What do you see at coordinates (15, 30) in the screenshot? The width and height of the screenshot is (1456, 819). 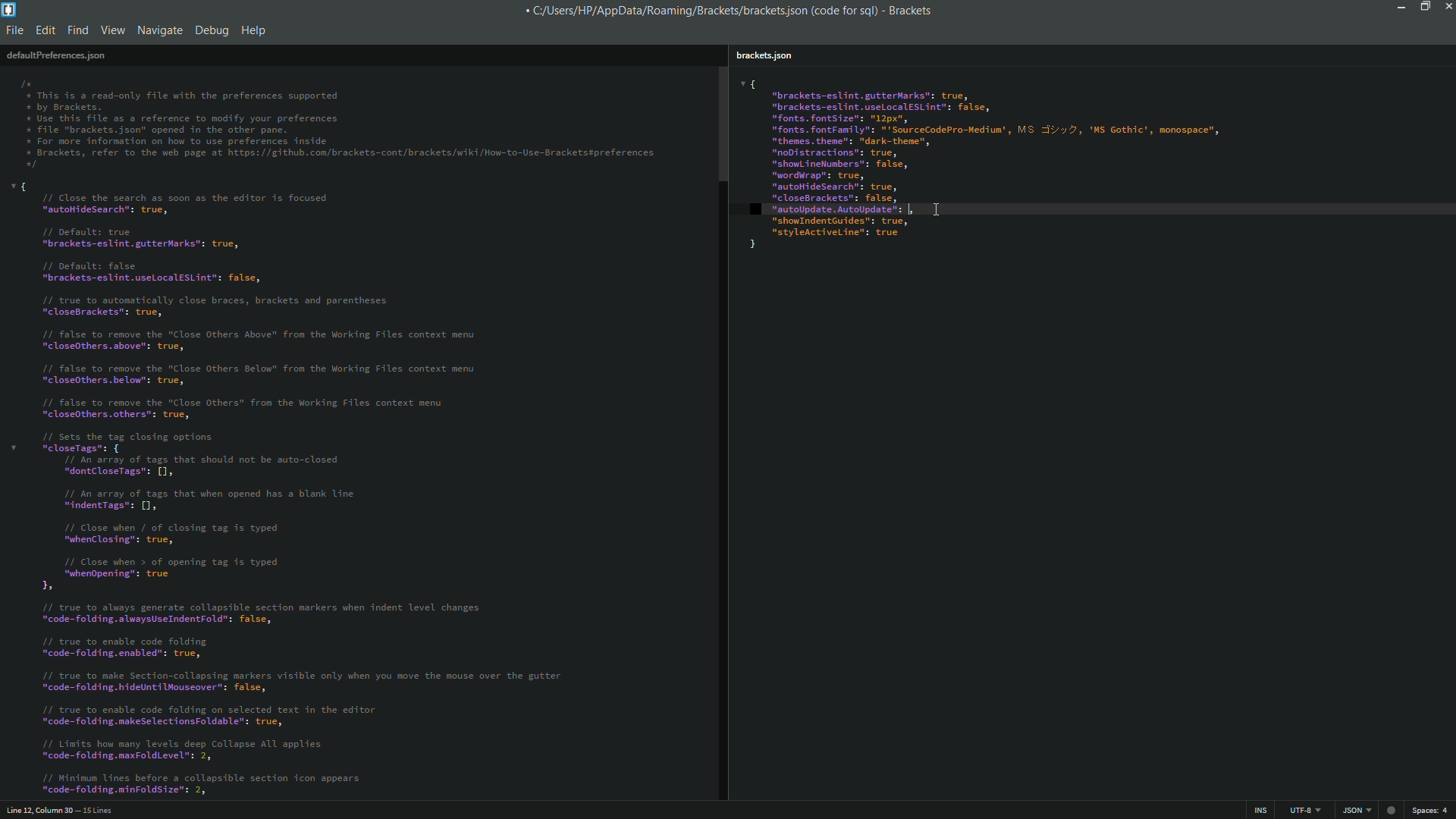 I see `file menu` at bounding box center [15, 30].